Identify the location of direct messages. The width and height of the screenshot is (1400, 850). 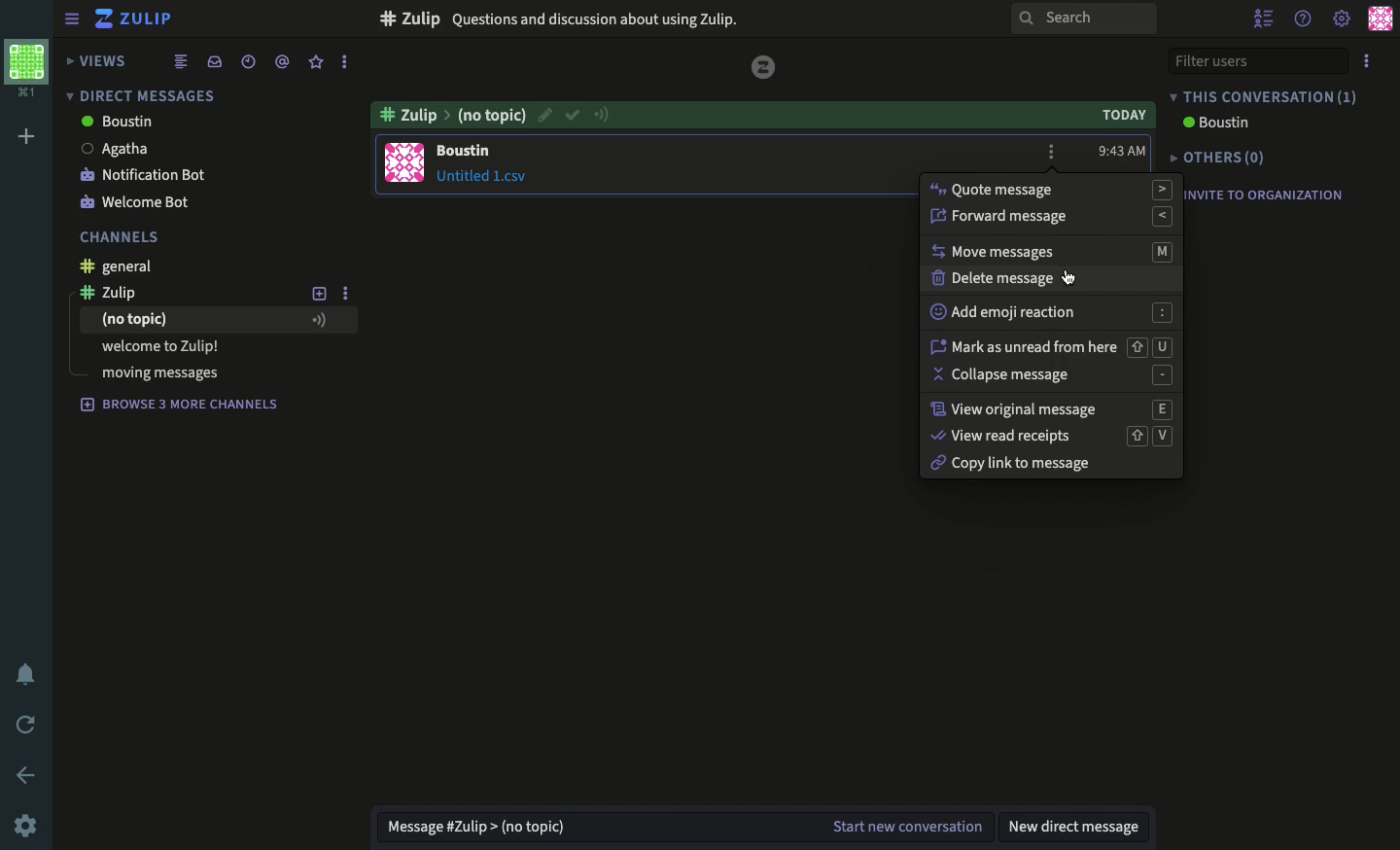
(139, 95).